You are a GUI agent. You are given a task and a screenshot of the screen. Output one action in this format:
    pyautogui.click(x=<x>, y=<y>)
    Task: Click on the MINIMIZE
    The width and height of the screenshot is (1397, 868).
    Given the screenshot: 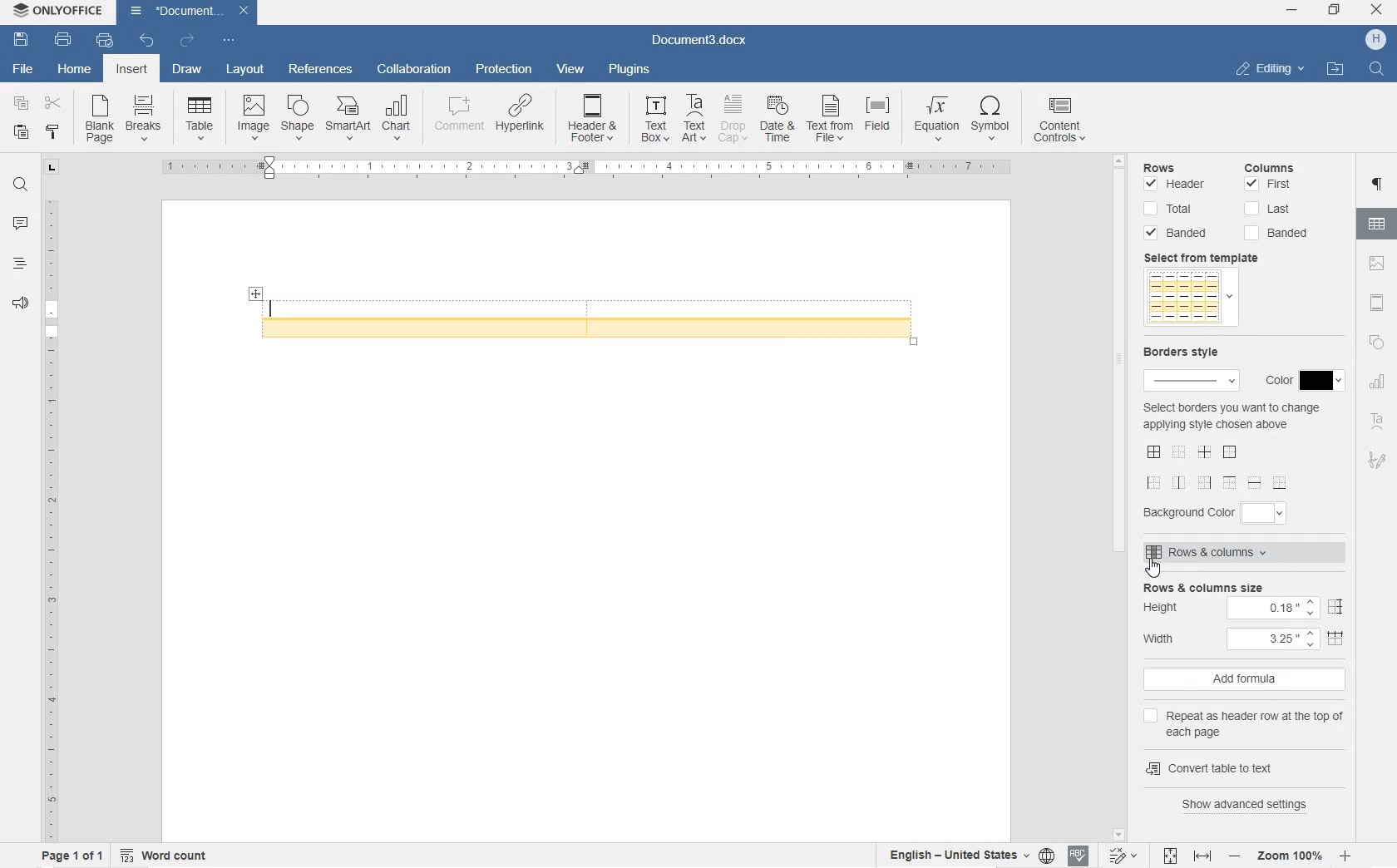 What is the action you would take?
    pyautogui.click(x=1293, y=11)
    